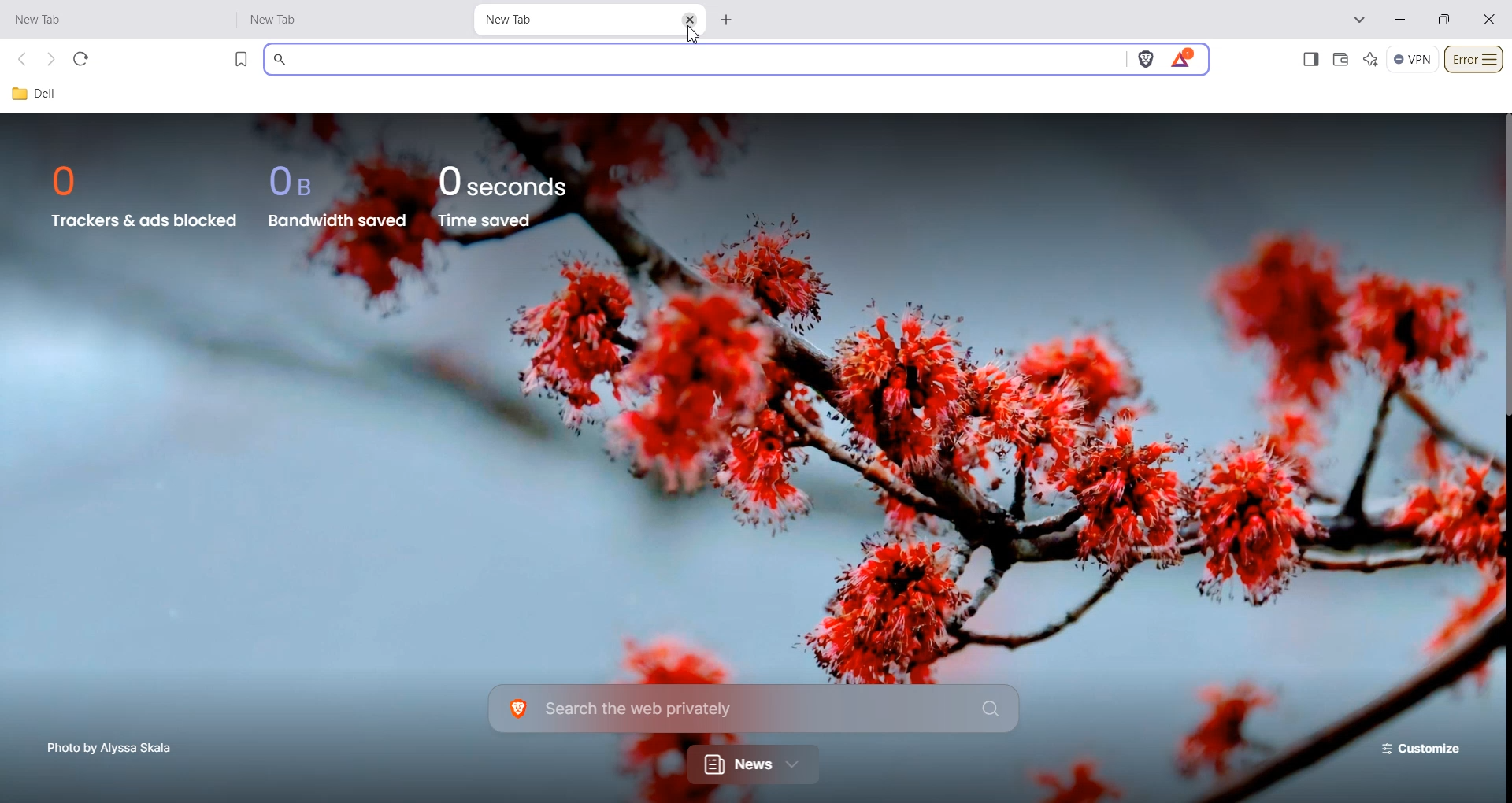  I want to click on Minimize, so click(1399, 20).